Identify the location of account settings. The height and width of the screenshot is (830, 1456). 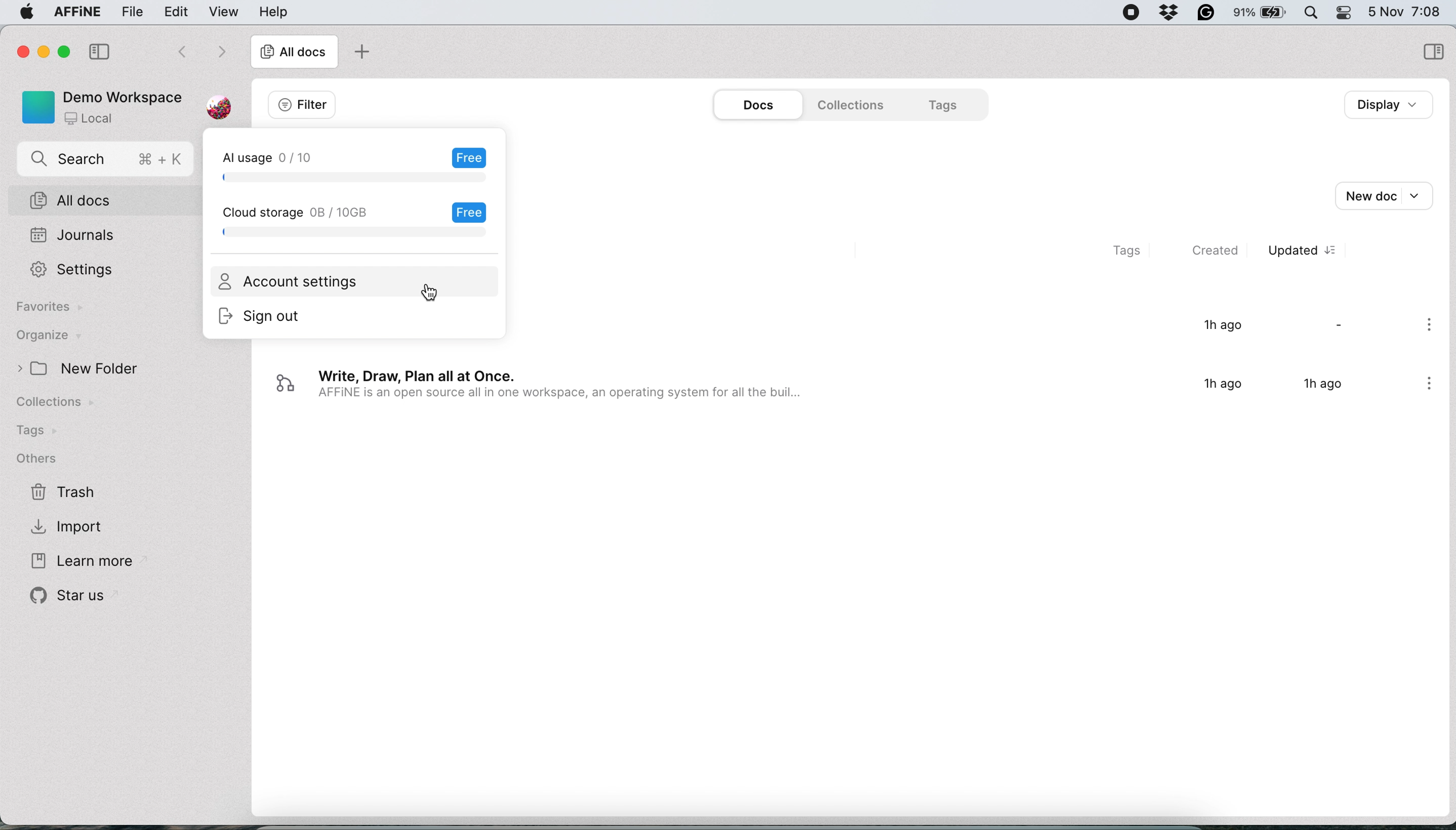
(291, 283).